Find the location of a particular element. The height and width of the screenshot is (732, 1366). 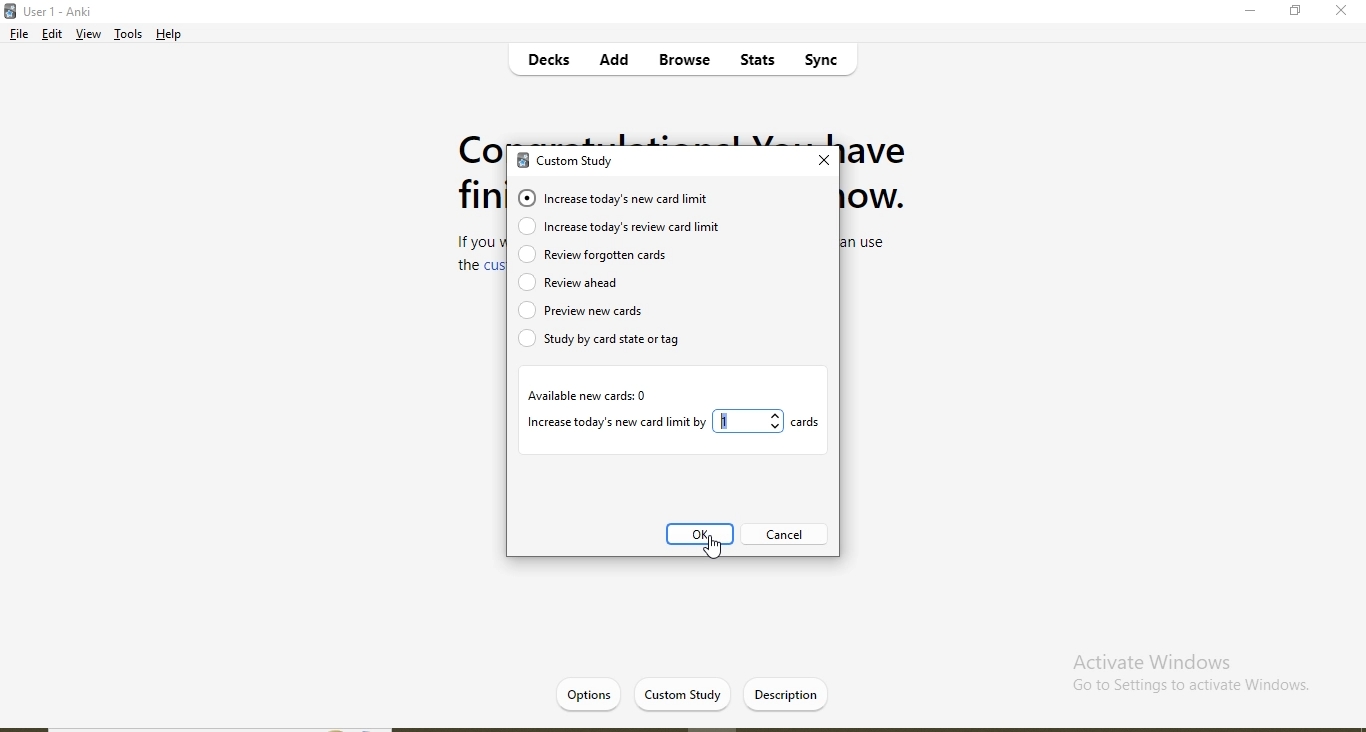

1 card is located at coordinates (772, 421).